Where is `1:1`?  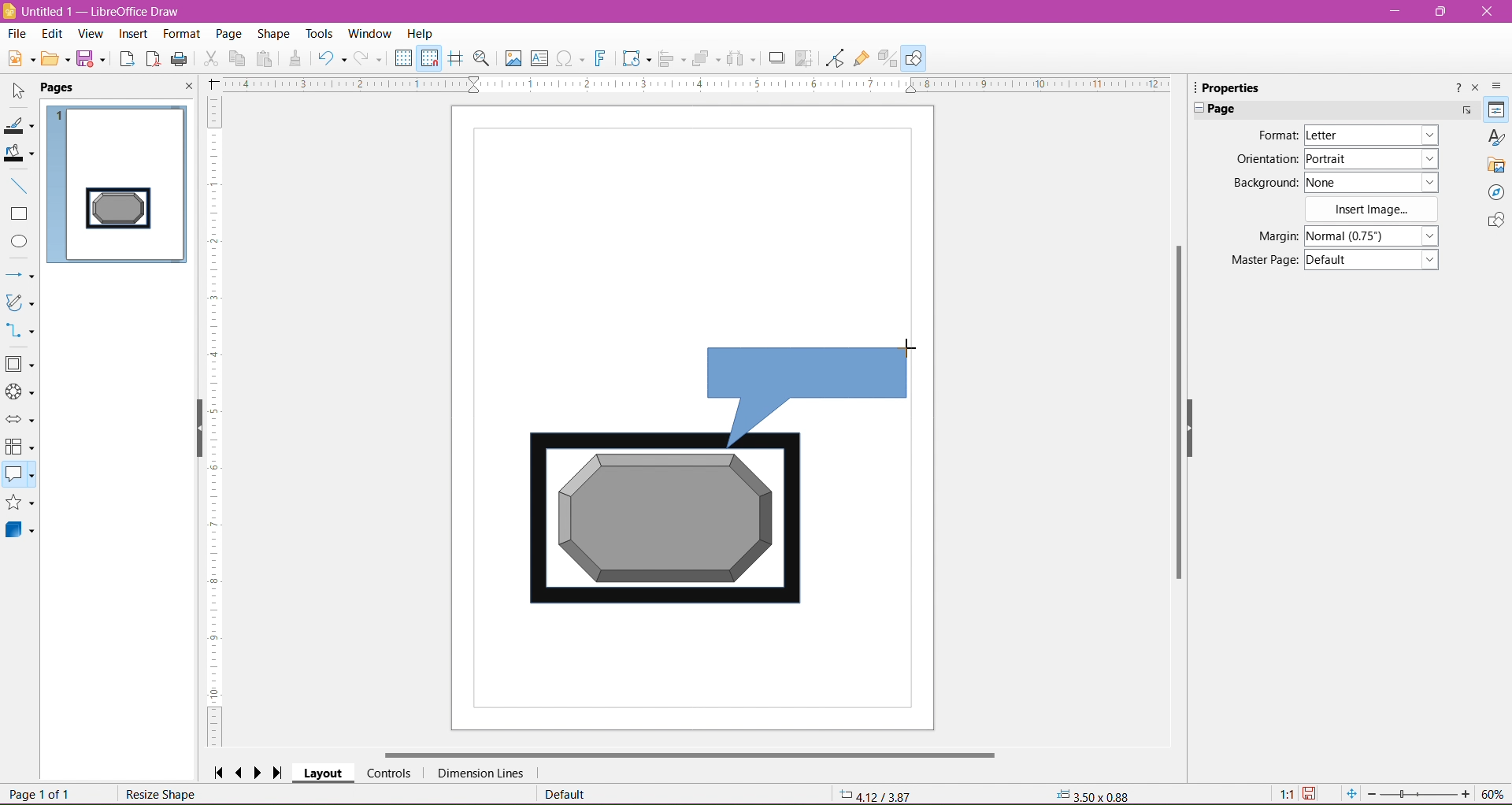
1:1 is located at coordinates (1284, 794).